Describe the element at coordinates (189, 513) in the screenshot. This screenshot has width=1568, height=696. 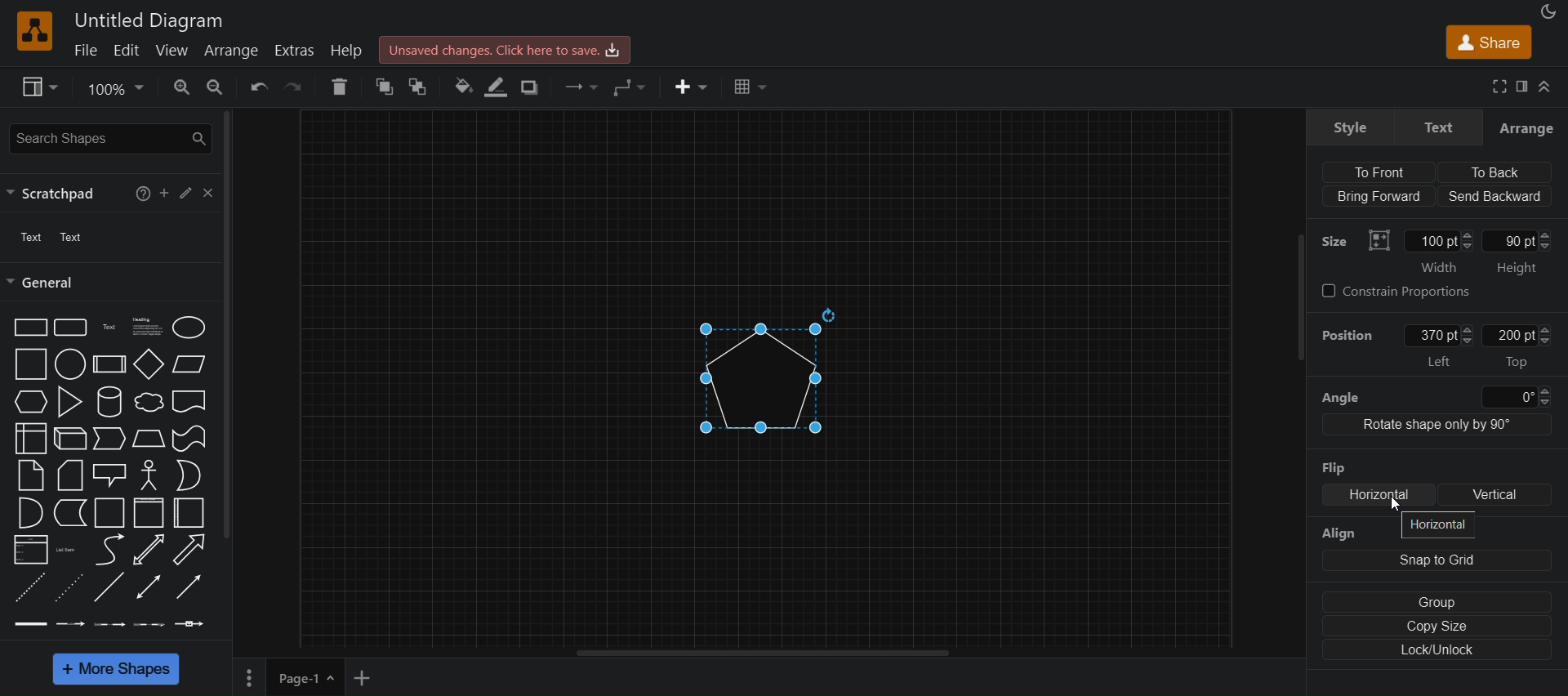
I see `Horizontal container` at that location.